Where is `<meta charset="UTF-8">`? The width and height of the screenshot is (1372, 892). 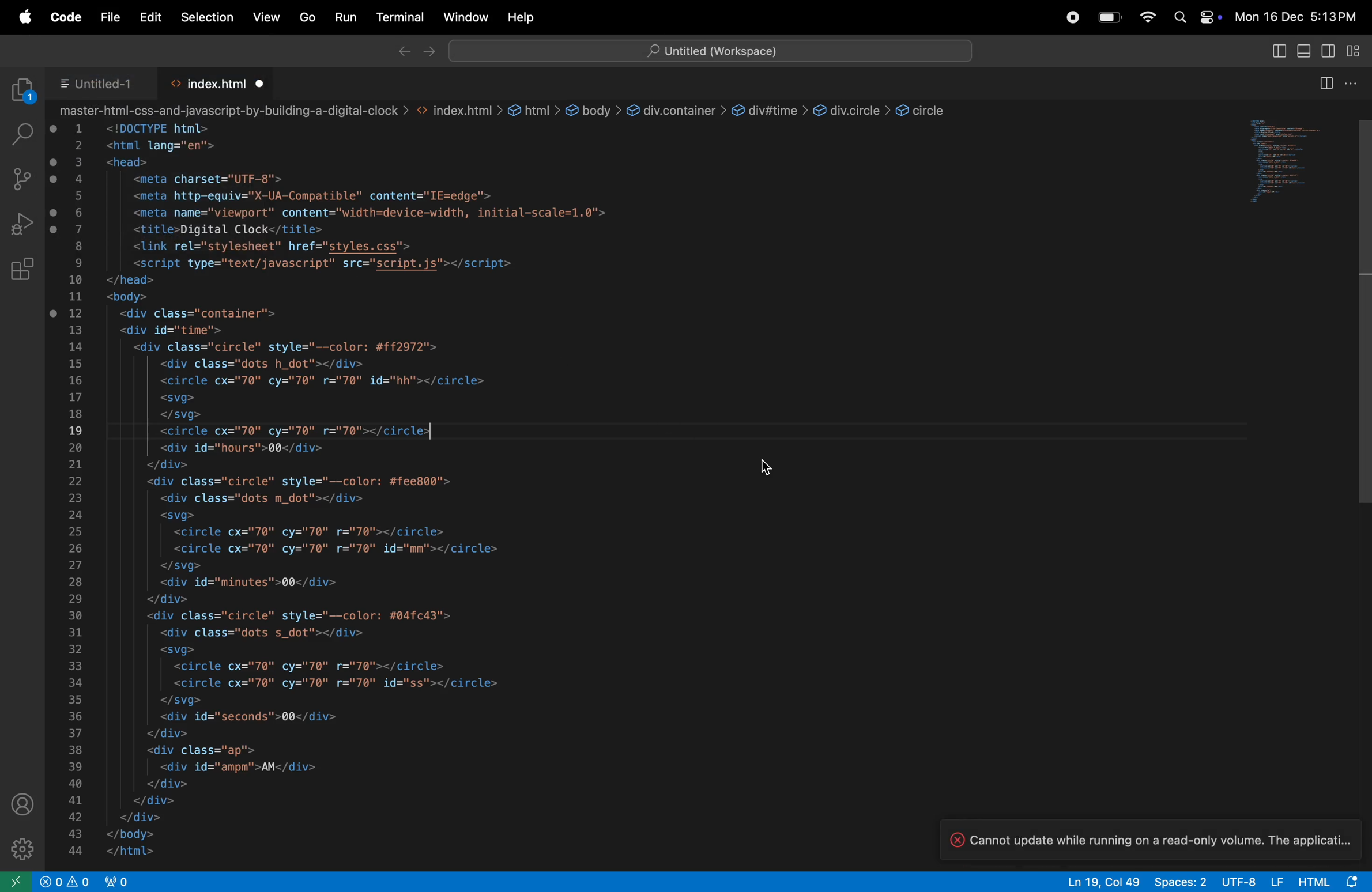 <meta charset="UTF-8"> is located at coordinates (208, 179).